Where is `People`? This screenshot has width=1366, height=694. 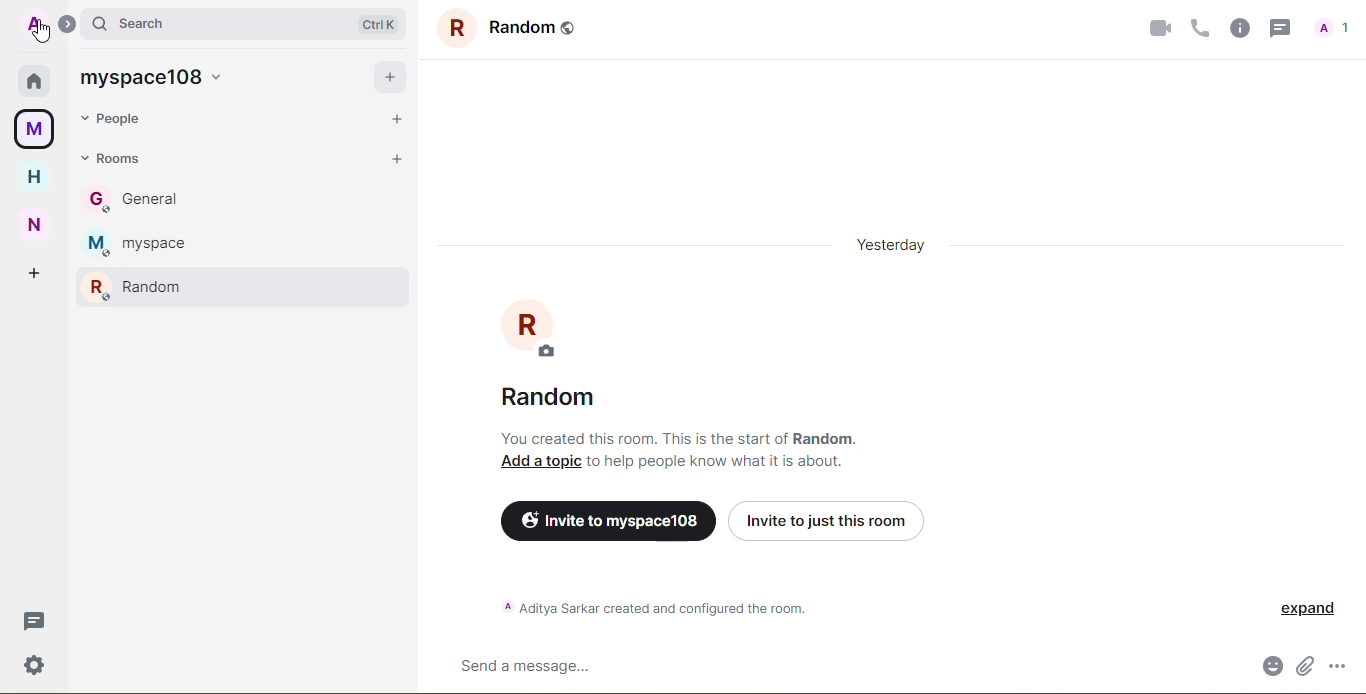
People is located at coordinates (1334, 31).